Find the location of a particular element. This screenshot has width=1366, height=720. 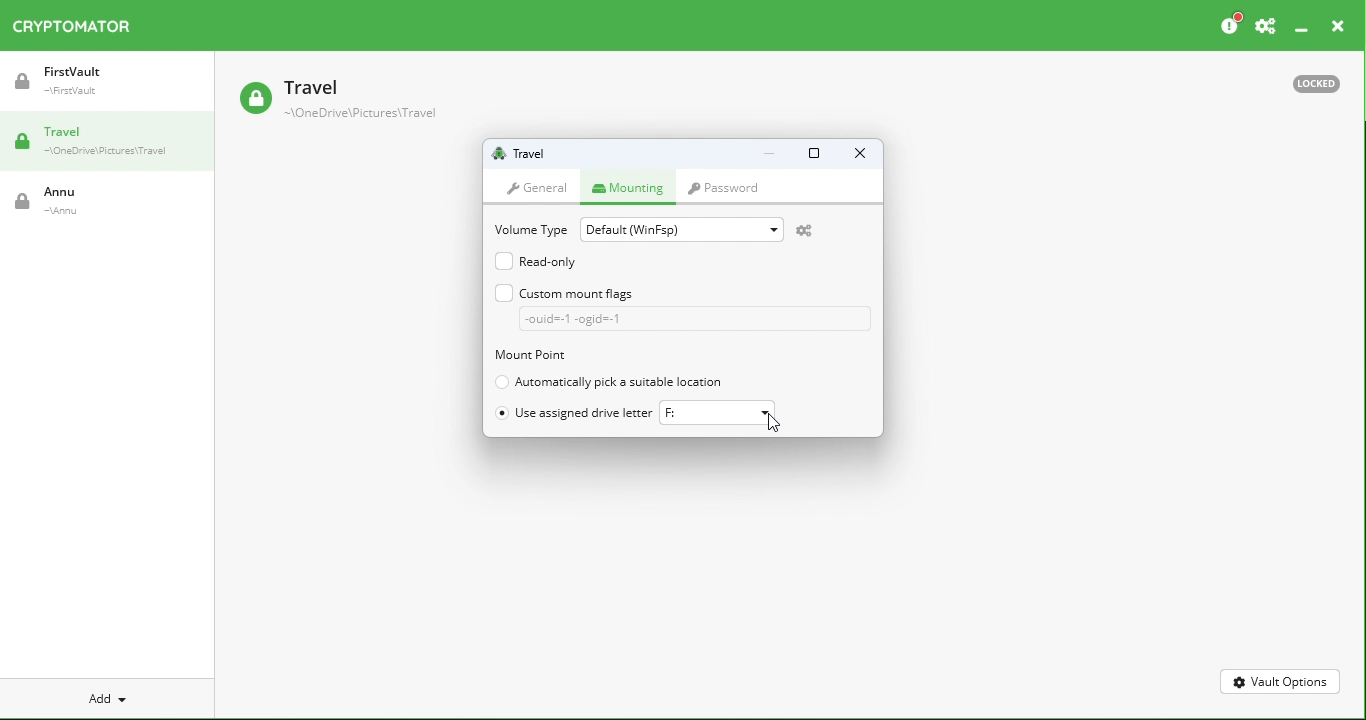

Minimize is located at coordinates (770, 156).